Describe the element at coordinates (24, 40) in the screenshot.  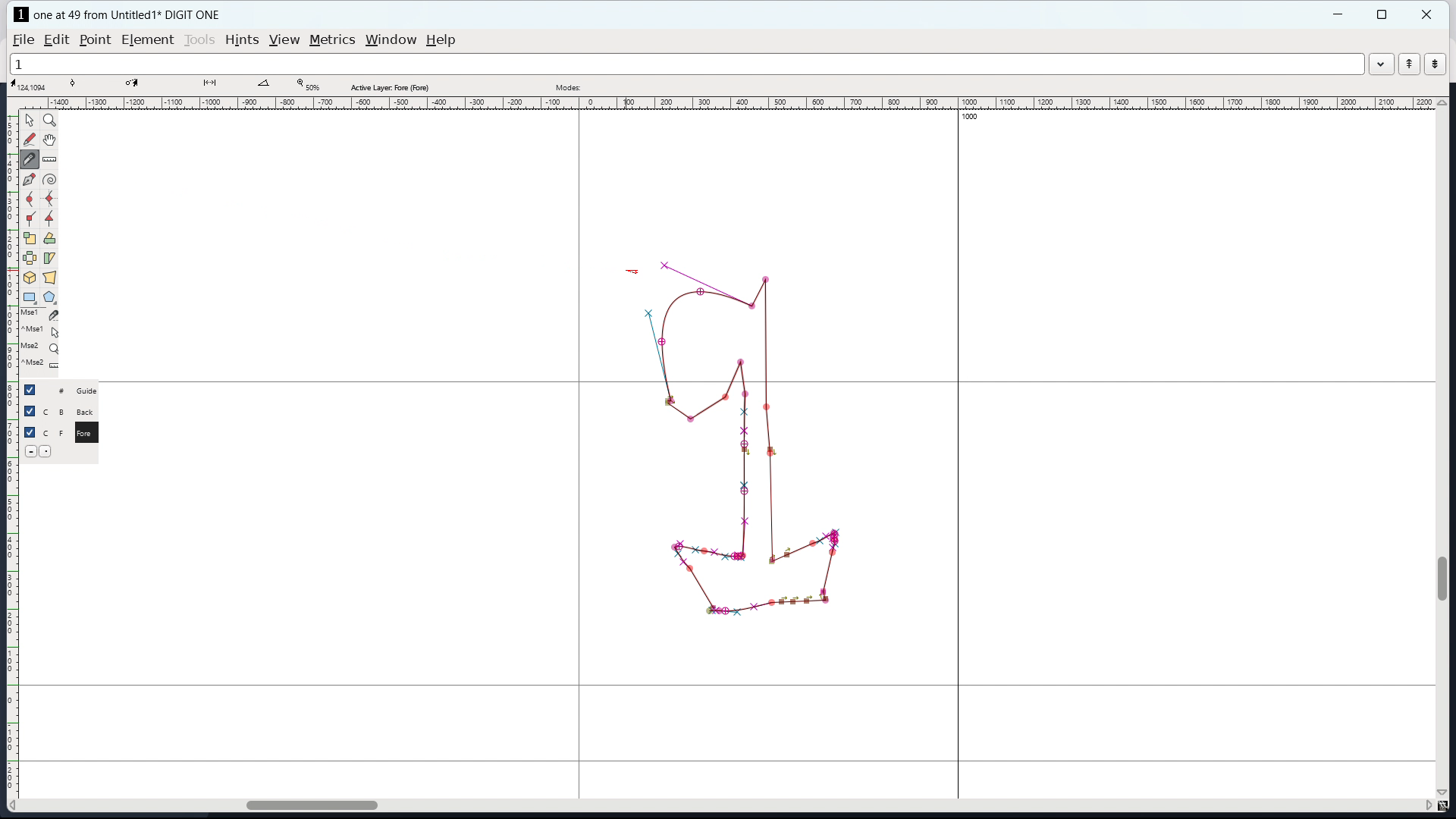
I see `file` at that location.